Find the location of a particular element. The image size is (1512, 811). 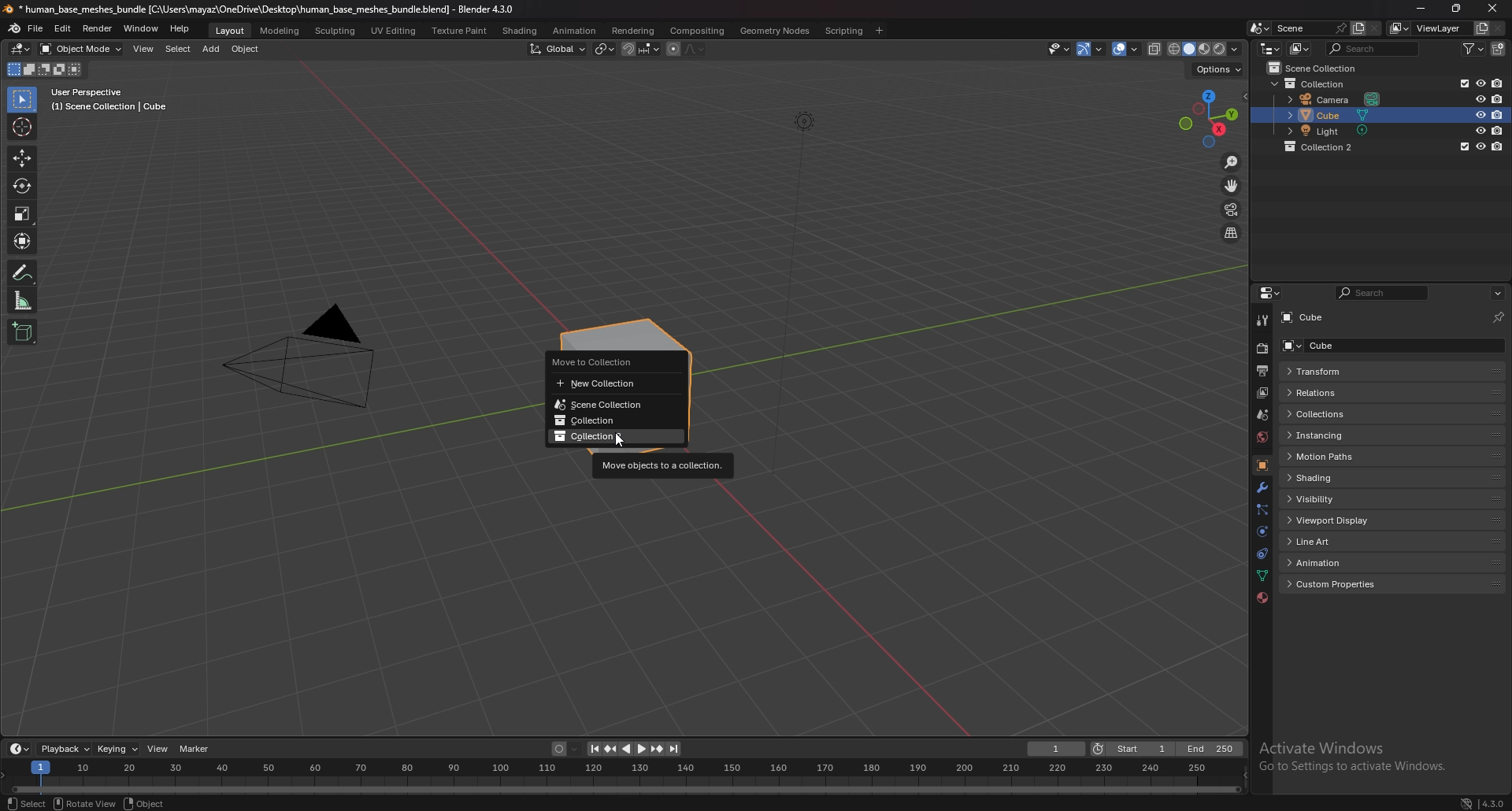

hide in viewport is located at coordinates (1480, 83).